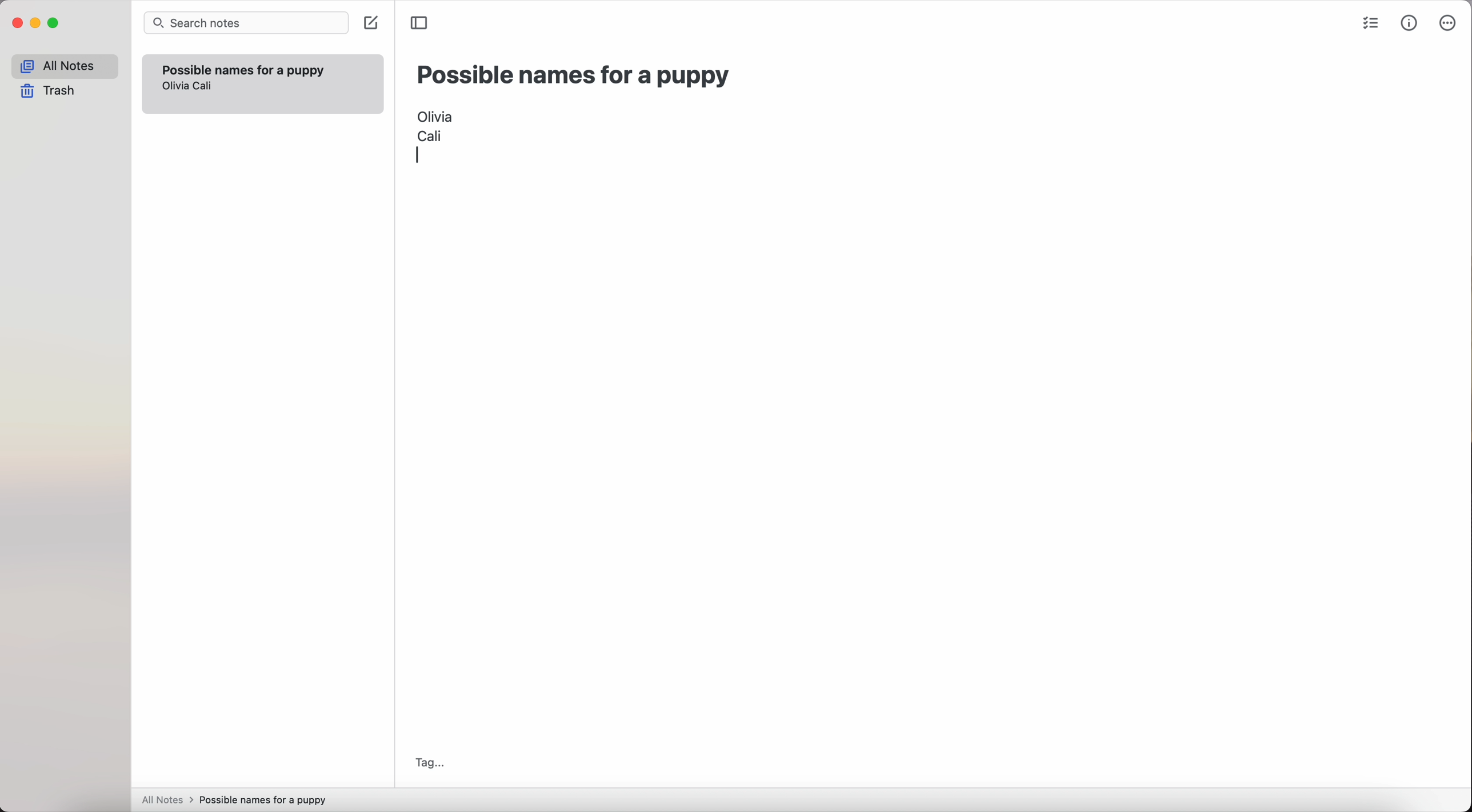  What do you see at coordinates (1370, 25) in the screenshot?
I see `check list` at bounding box center [1370, 25].